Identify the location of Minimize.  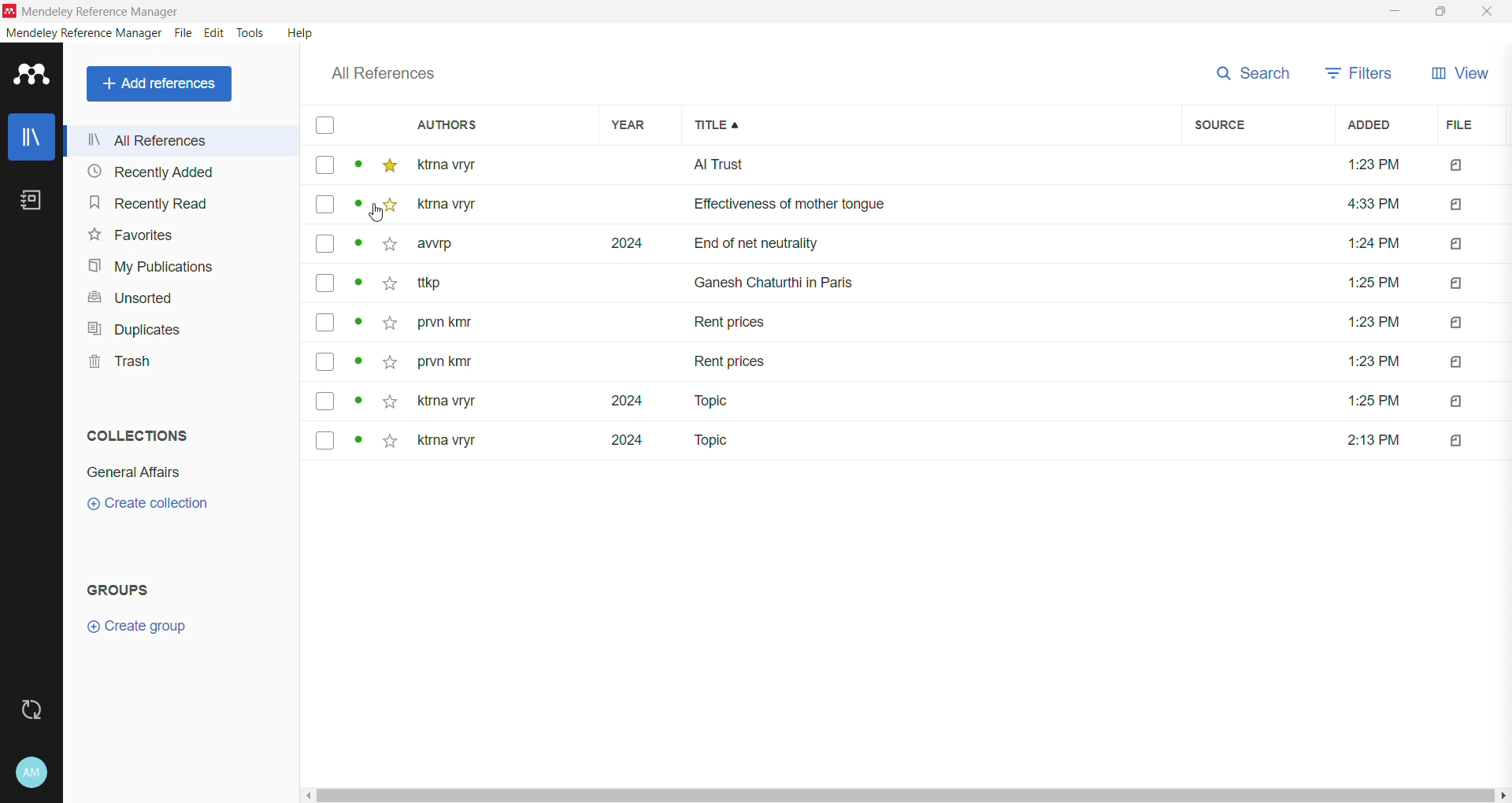
(1395, 11).